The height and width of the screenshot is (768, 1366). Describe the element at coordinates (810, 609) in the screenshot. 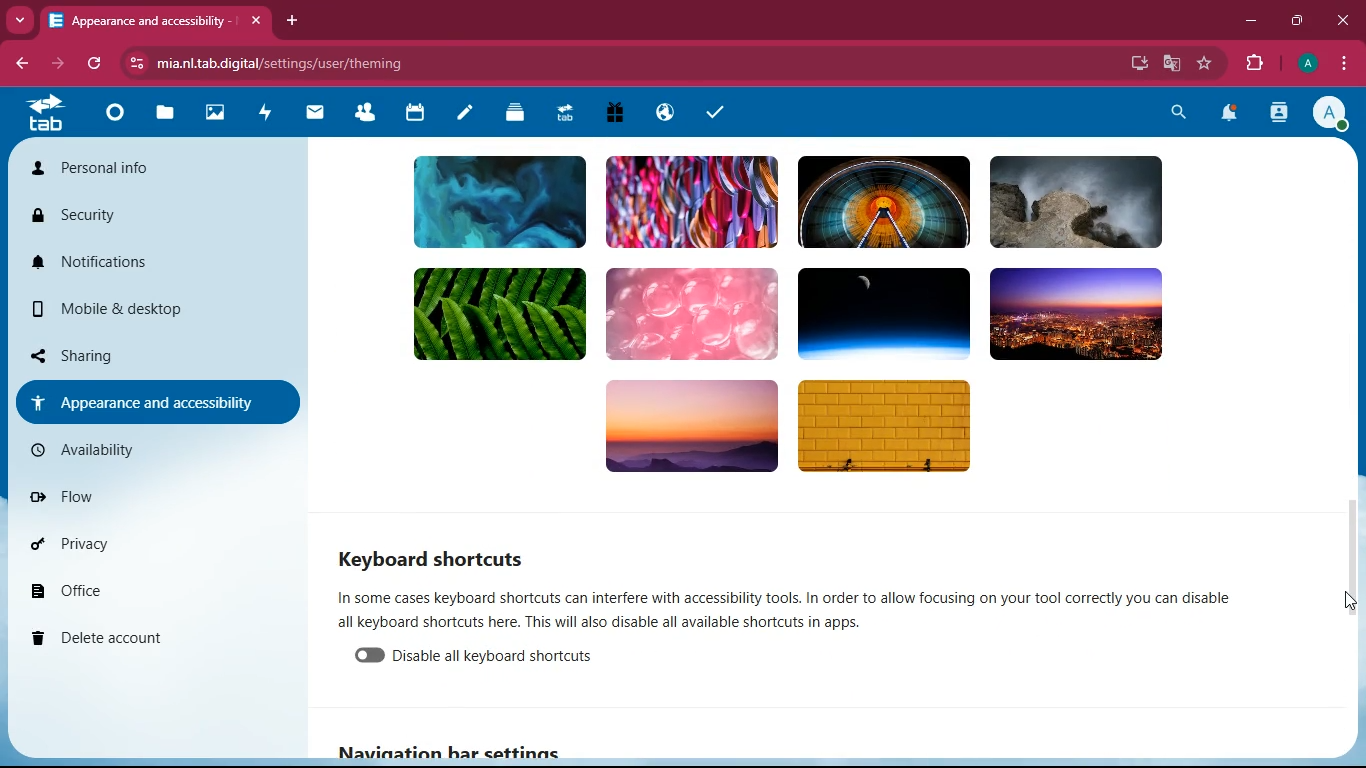

I see `description` at that location.